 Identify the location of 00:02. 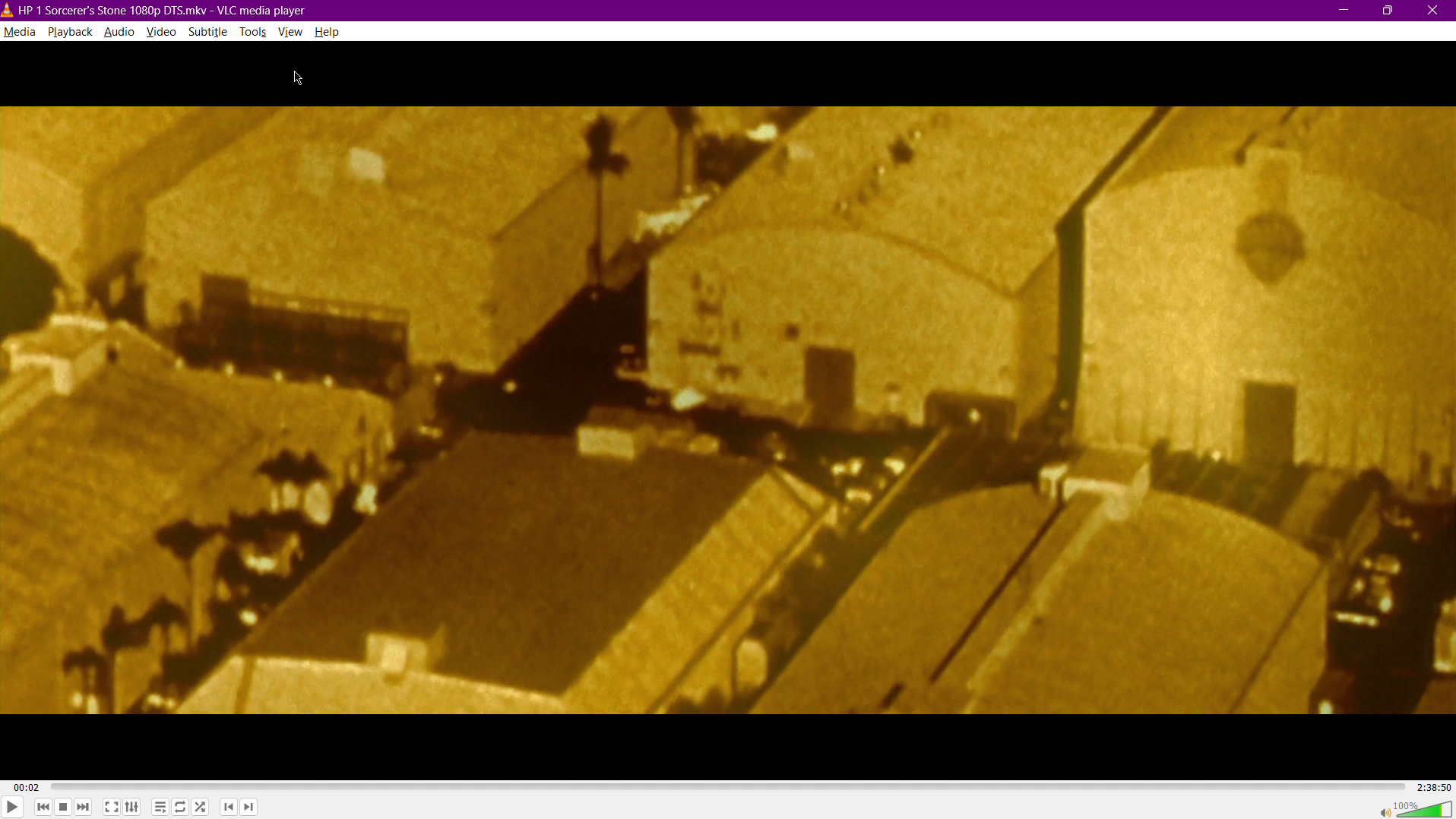
(27, 788).